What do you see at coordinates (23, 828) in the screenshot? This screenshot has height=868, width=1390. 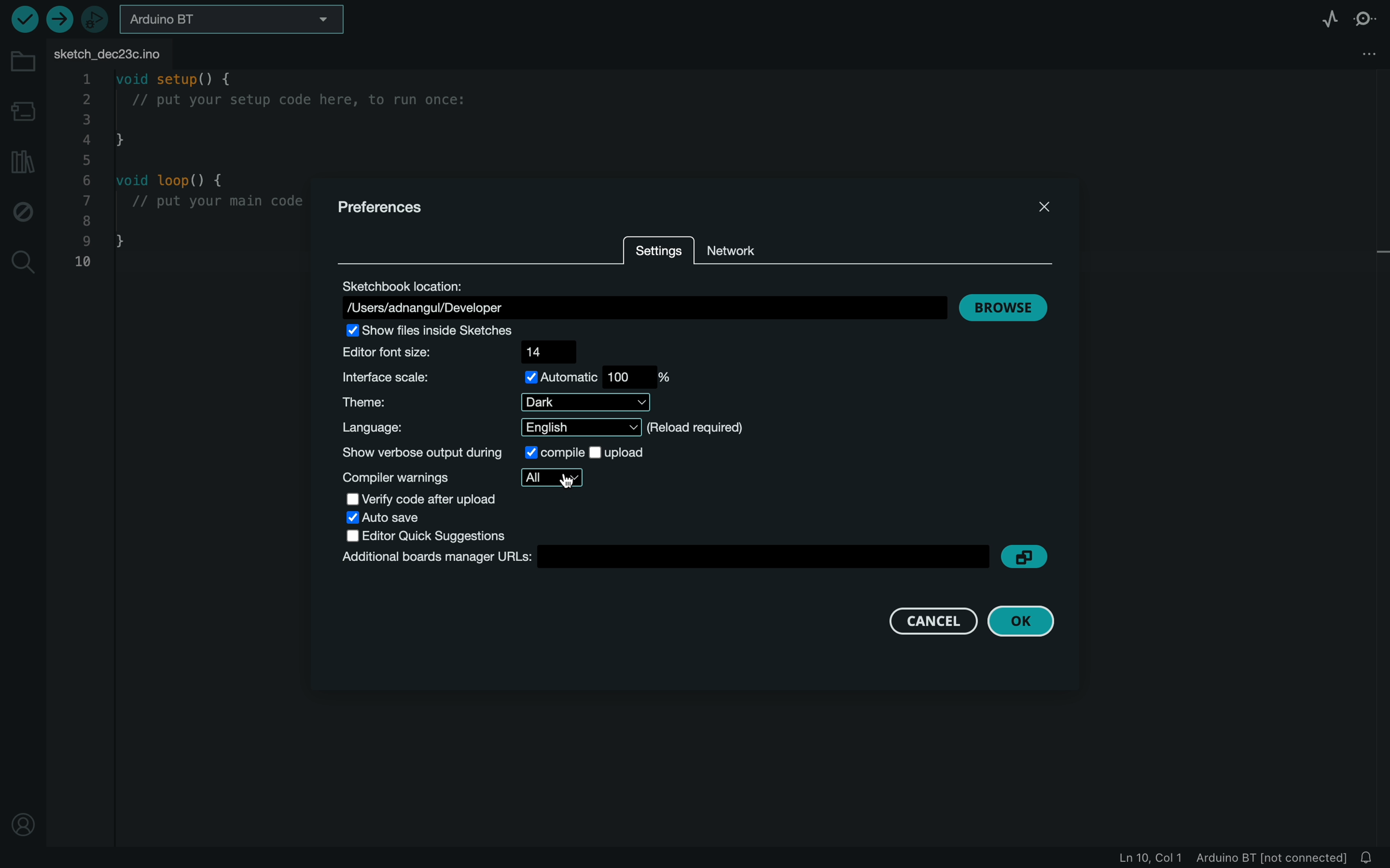 I see `location` at bounding box center [23, 828].